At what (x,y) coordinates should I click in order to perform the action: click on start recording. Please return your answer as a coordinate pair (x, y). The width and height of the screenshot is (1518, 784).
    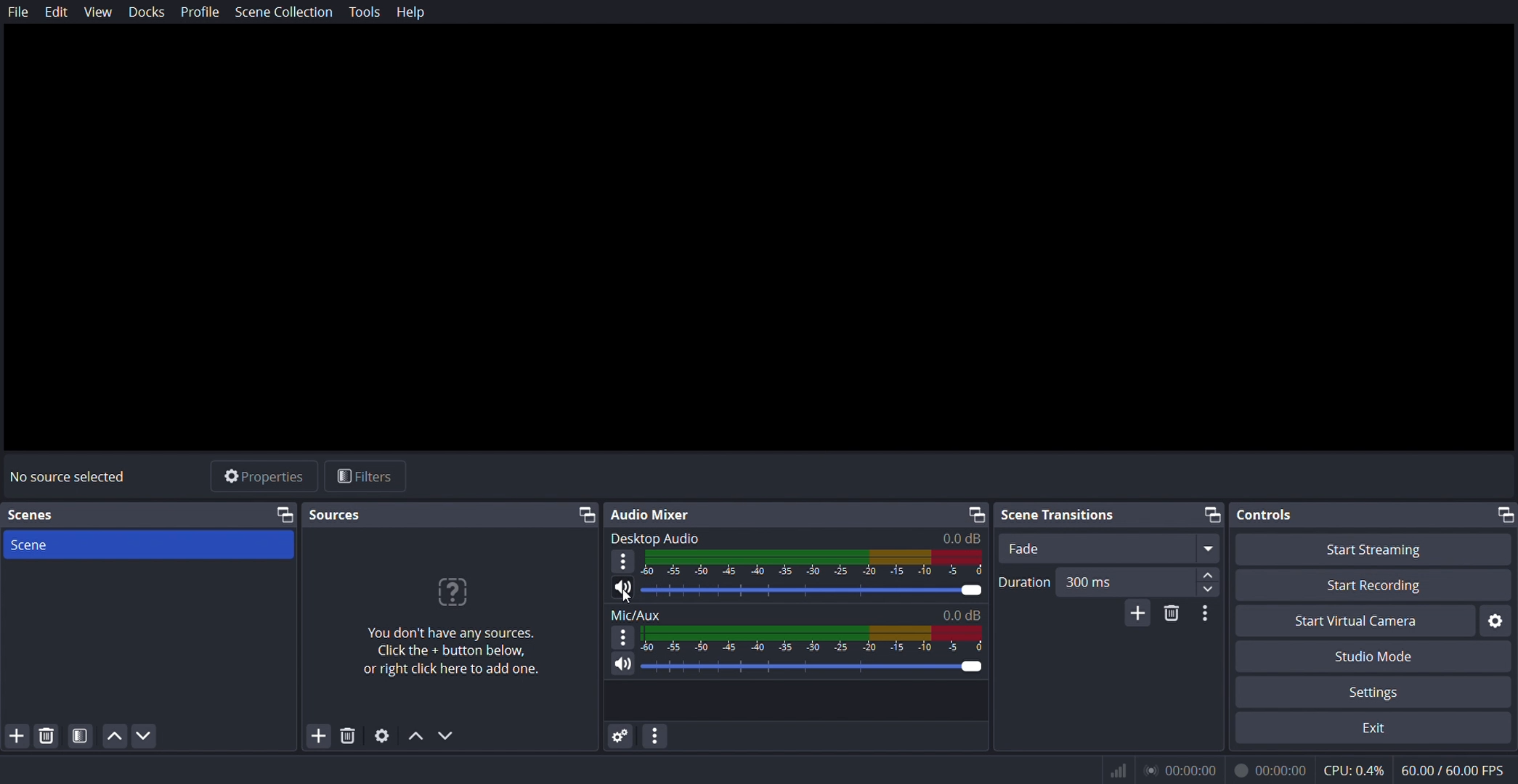
    Looking at the image, I should click on (1376, 586).